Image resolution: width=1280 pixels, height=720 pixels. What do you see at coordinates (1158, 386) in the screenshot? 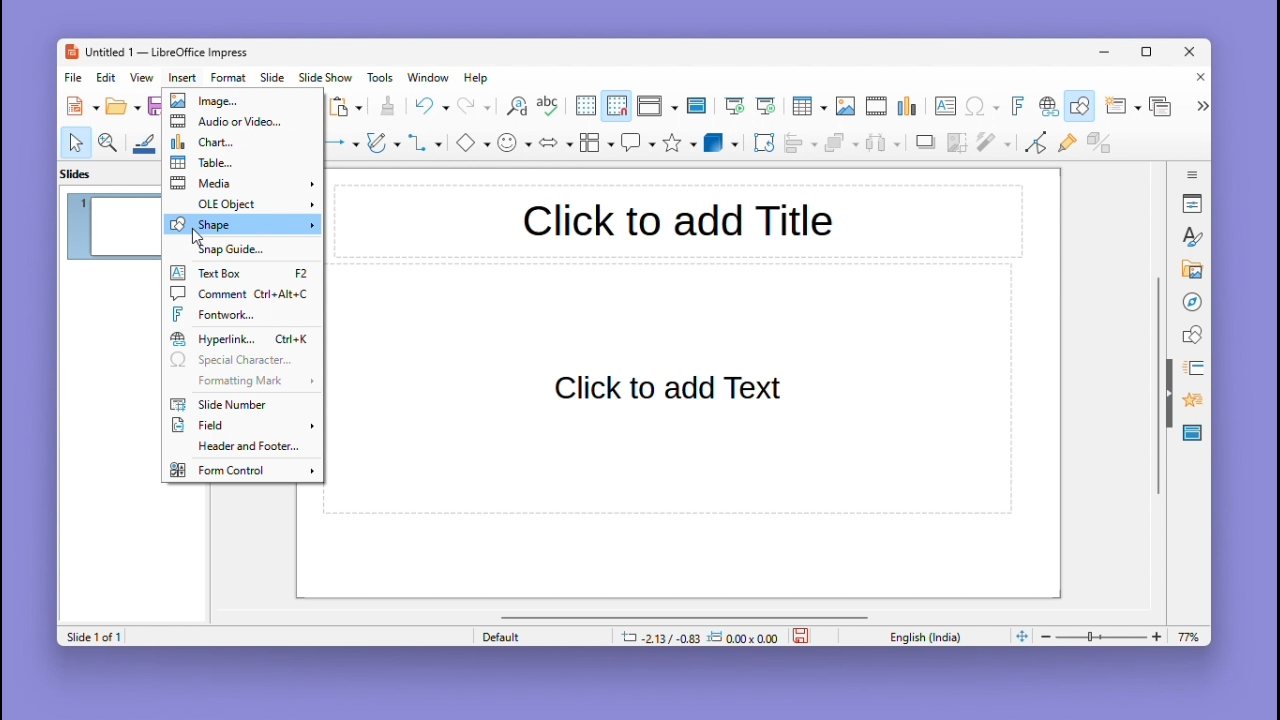
I see `Vertical scroll bar` at bounding box center [1158, 386].